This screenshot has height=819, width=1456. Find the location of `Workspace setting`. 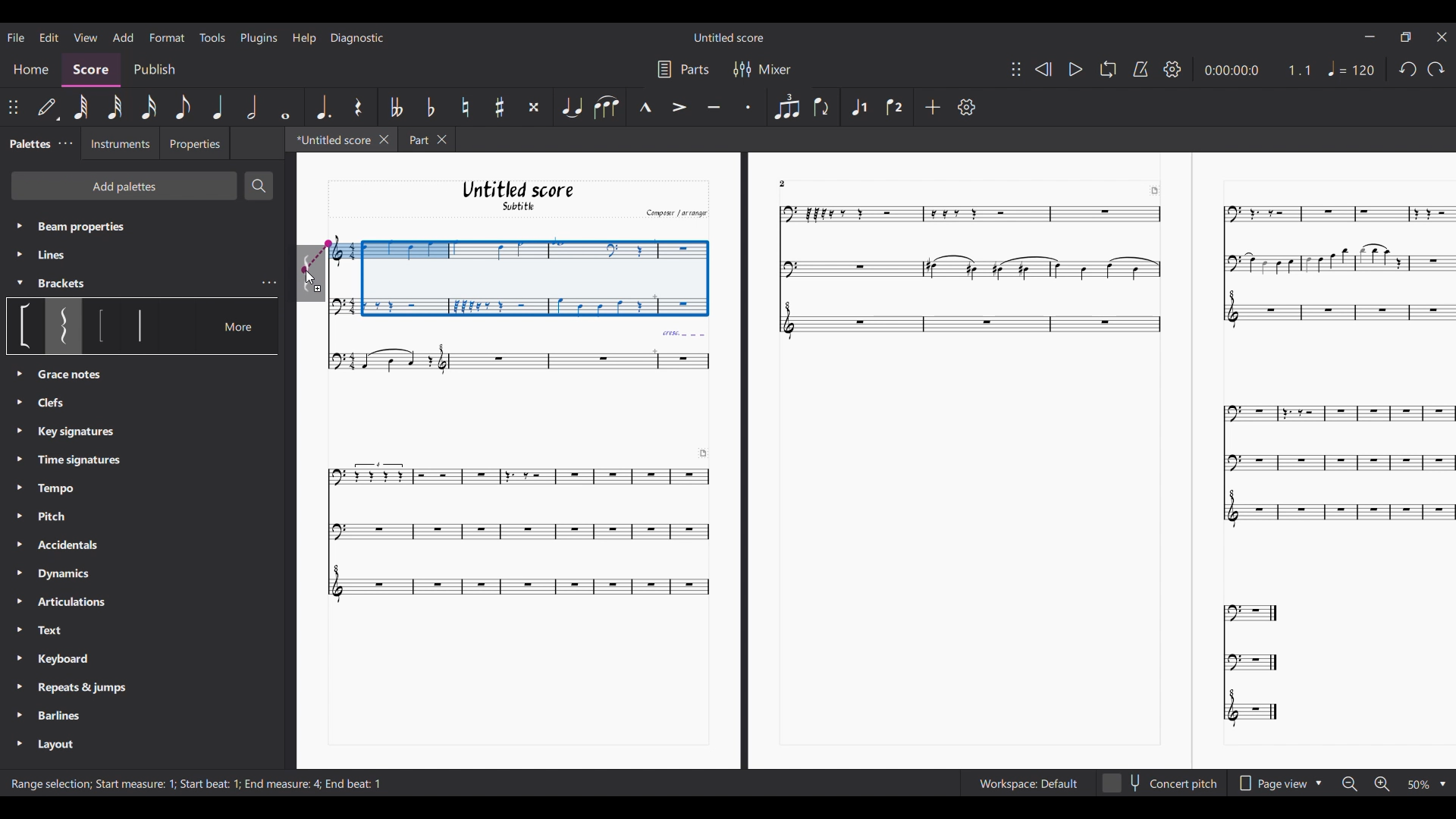

Workspace setting is located at coordinates (1028, 783).